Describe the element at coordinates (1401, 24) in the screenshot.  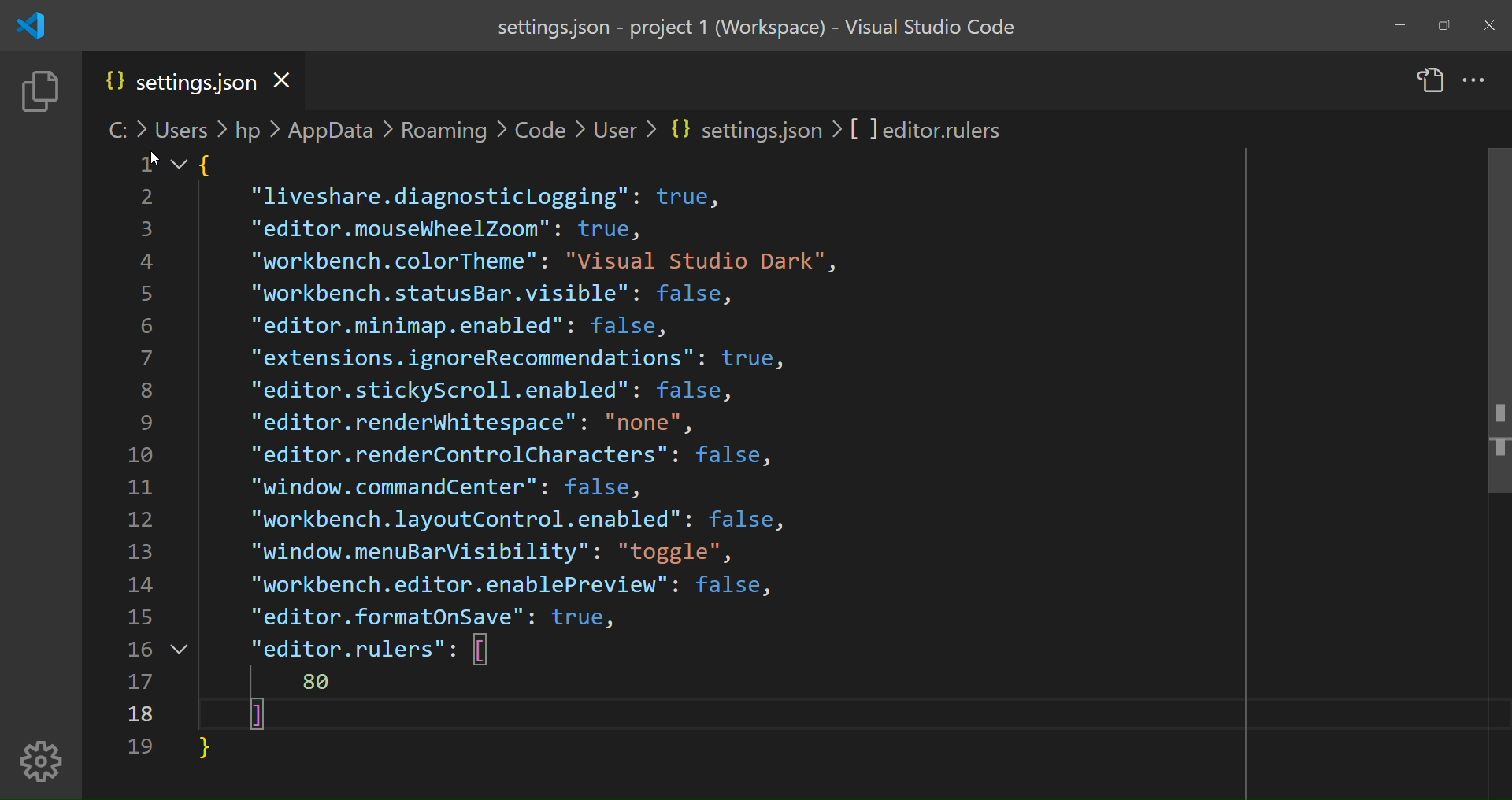
I see `minimize` at that location.